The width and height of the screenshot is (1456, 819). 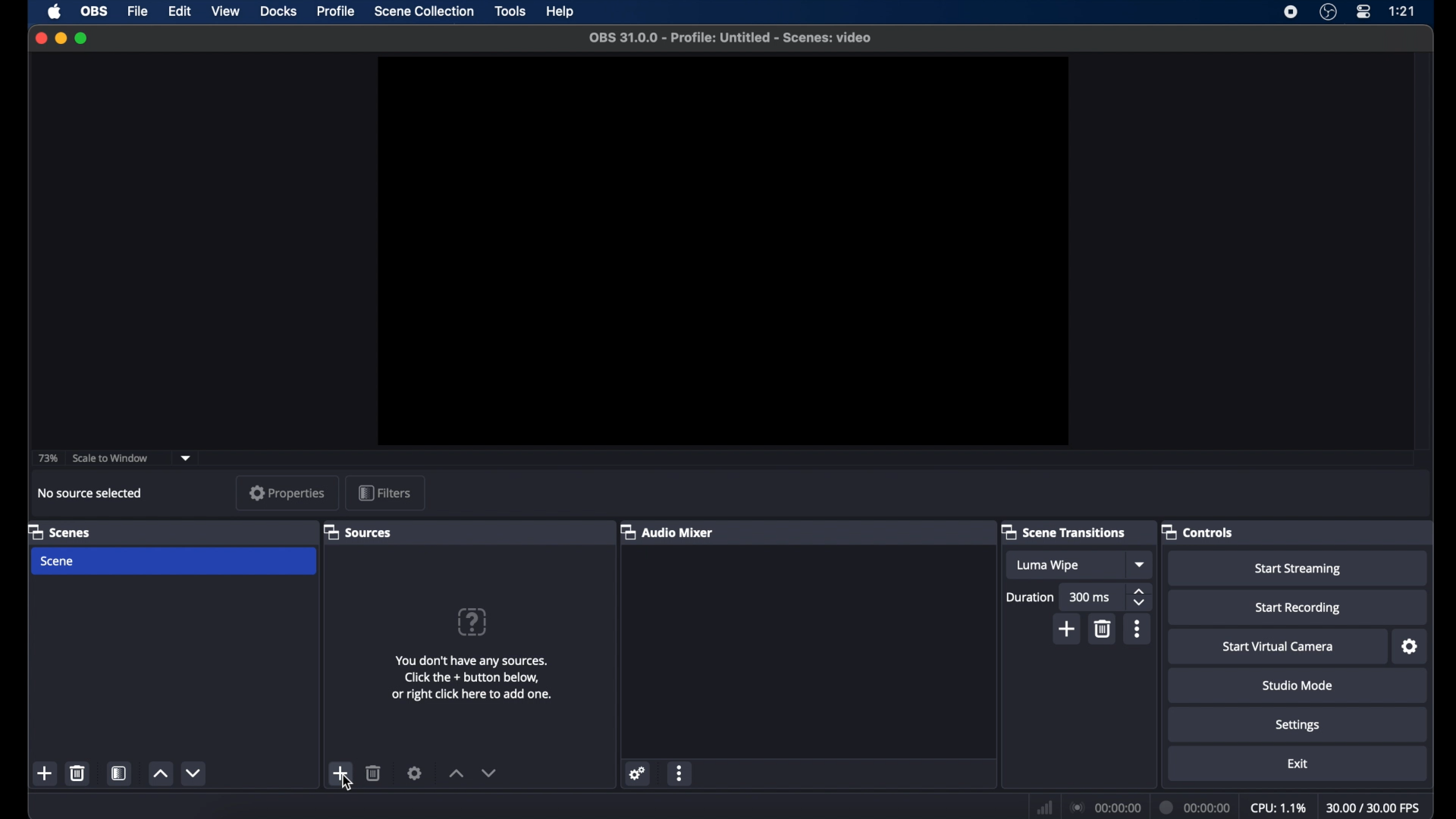 I want to click on file name, so click(x=731, y=38).